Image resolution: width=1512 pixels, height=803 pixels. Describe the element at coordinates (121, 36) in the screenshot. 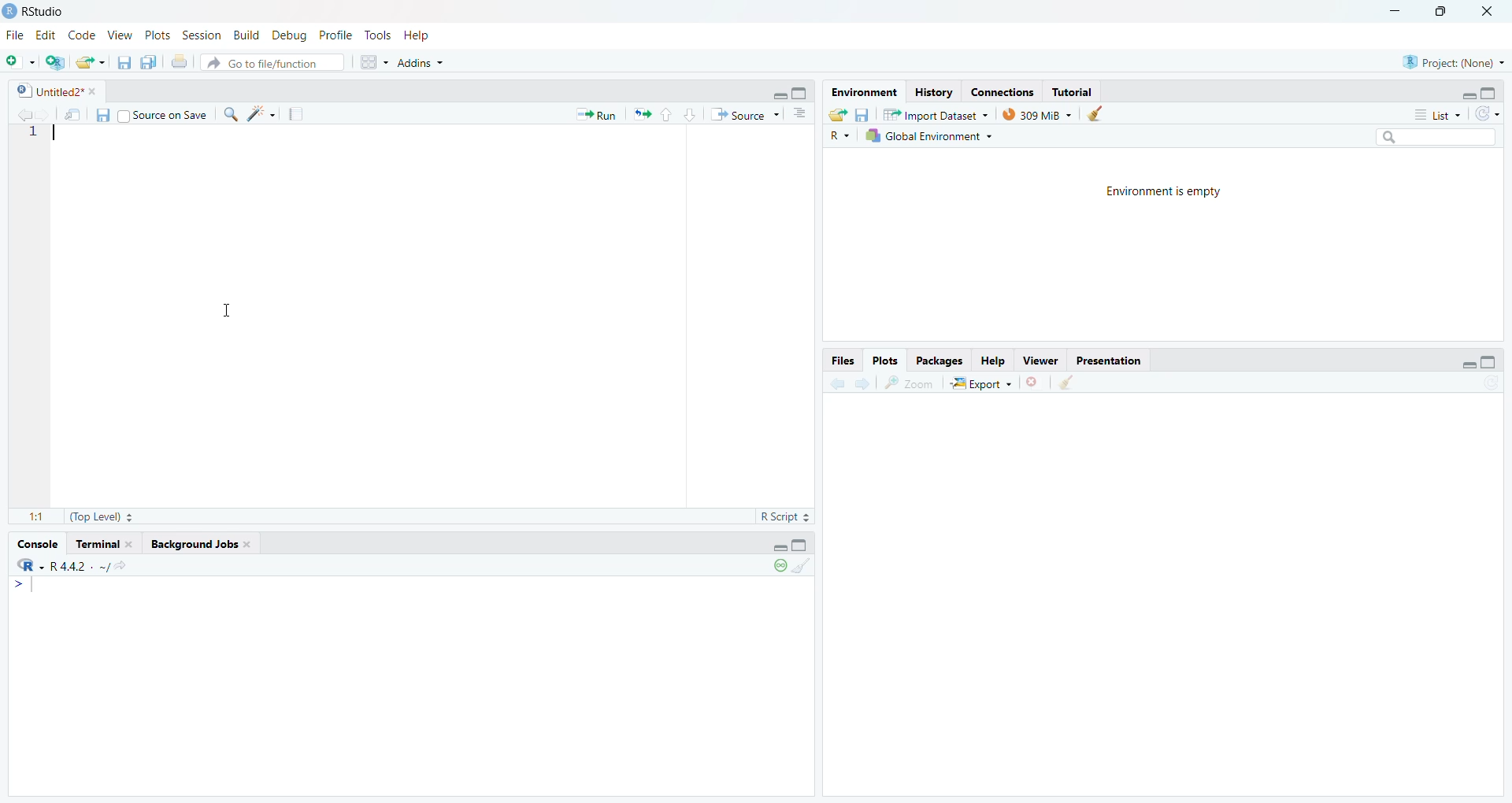

I see `View` at that location.